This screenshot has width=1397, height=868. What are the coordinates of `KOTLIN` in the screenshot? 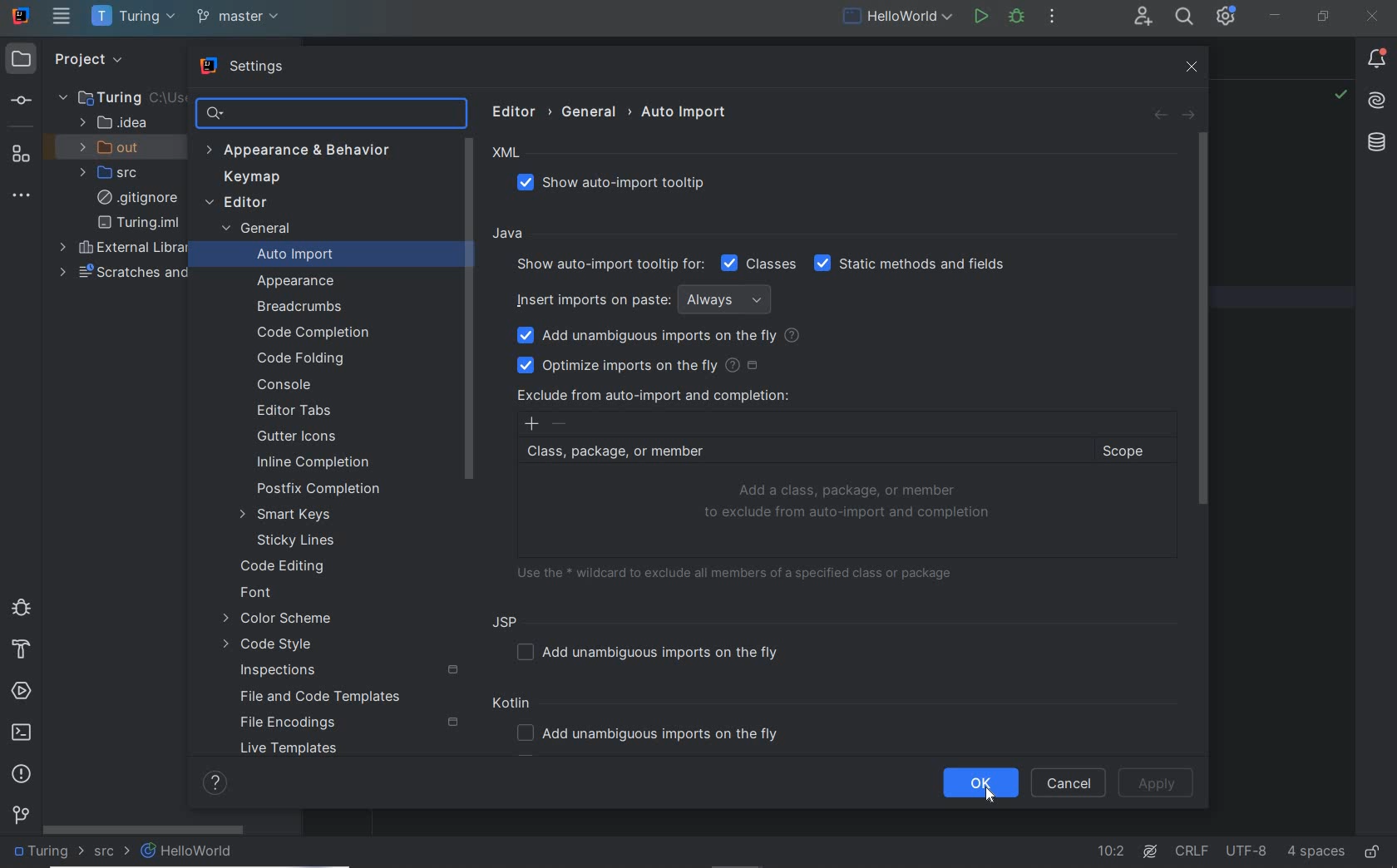 It's located at (515, 705).